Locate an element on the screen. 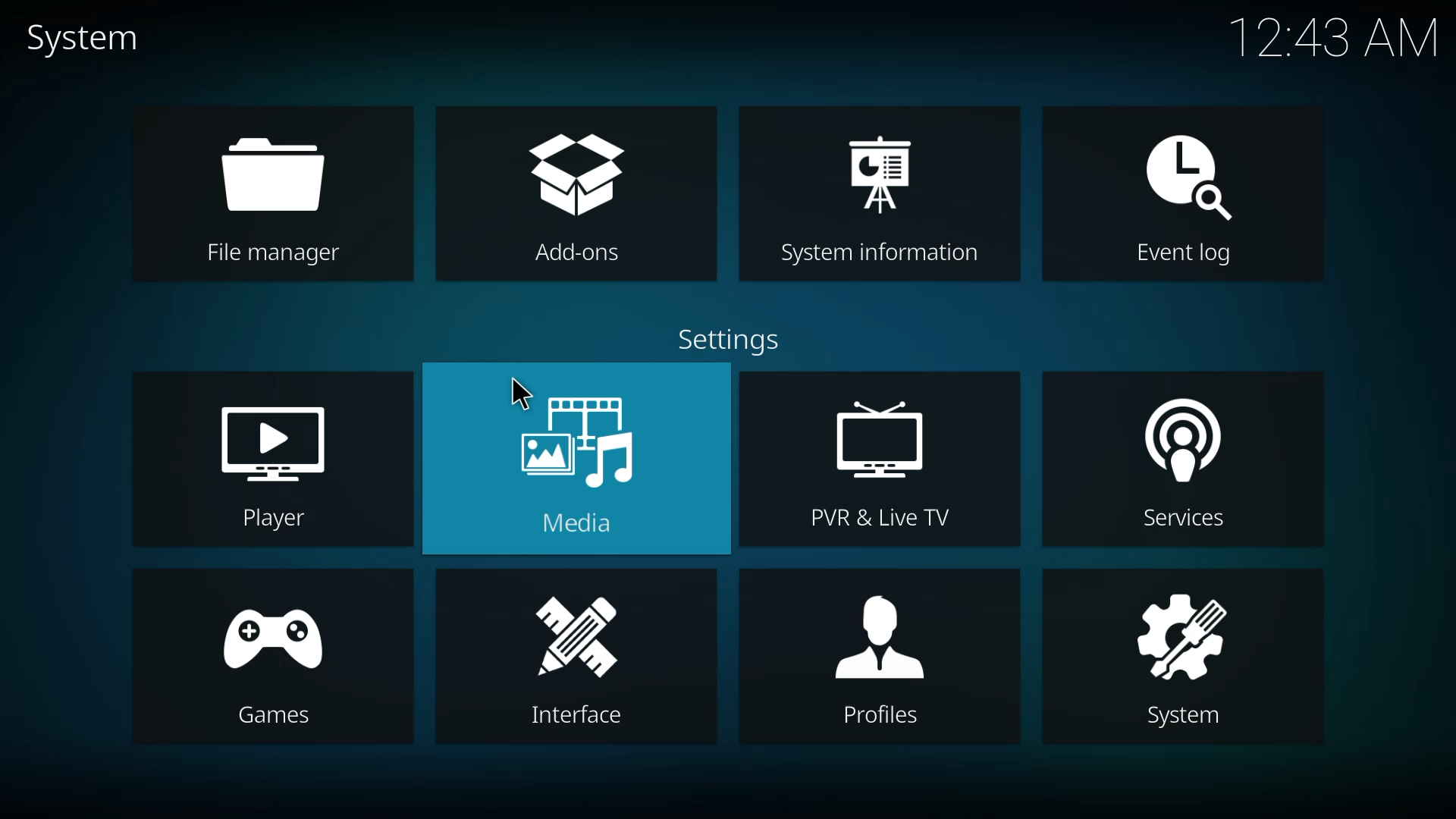  interface is located at coordinates (574, 661).